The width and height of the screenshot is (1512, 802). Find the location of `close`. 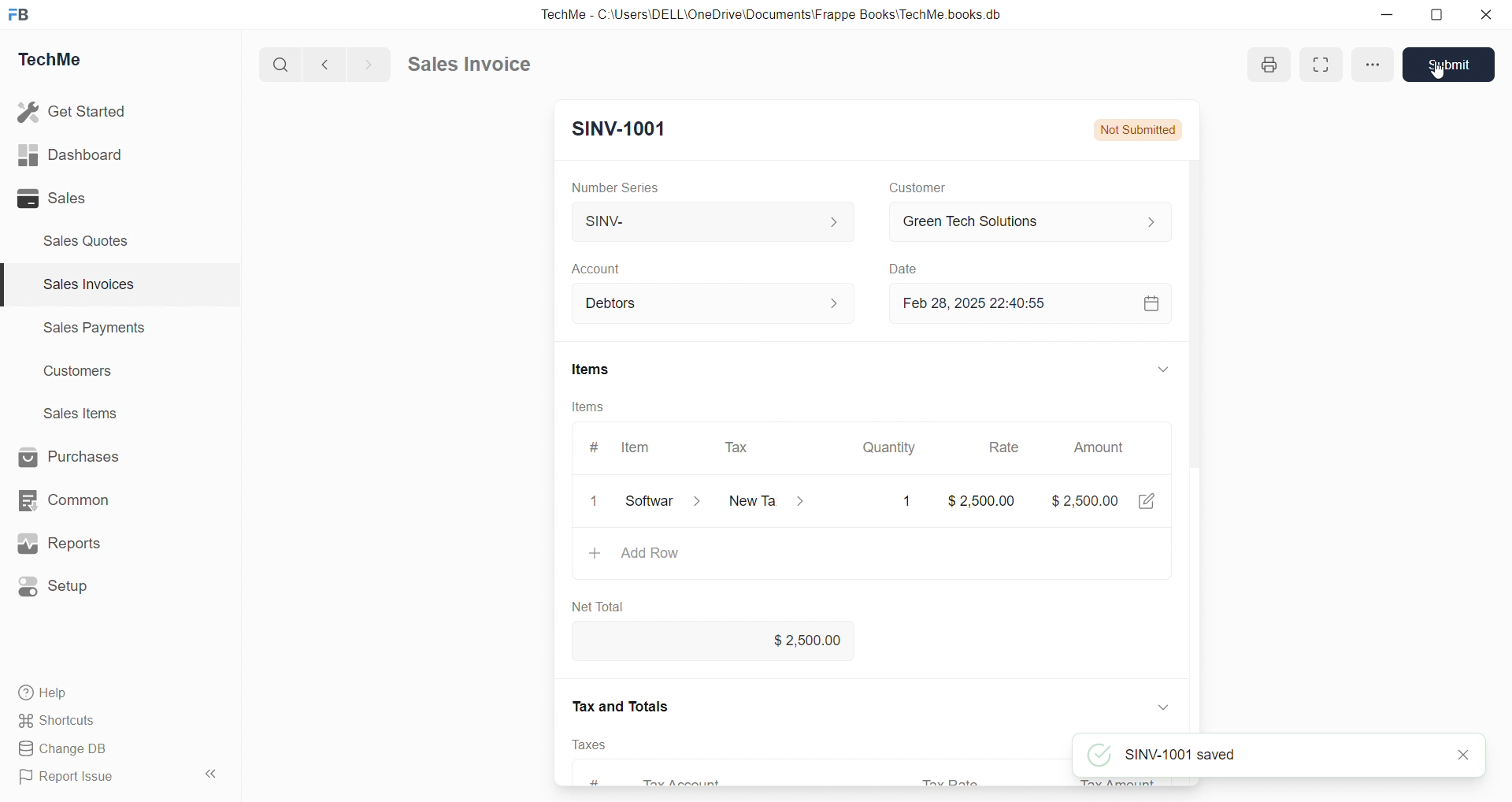

close is located at coordinates (1487, 14).